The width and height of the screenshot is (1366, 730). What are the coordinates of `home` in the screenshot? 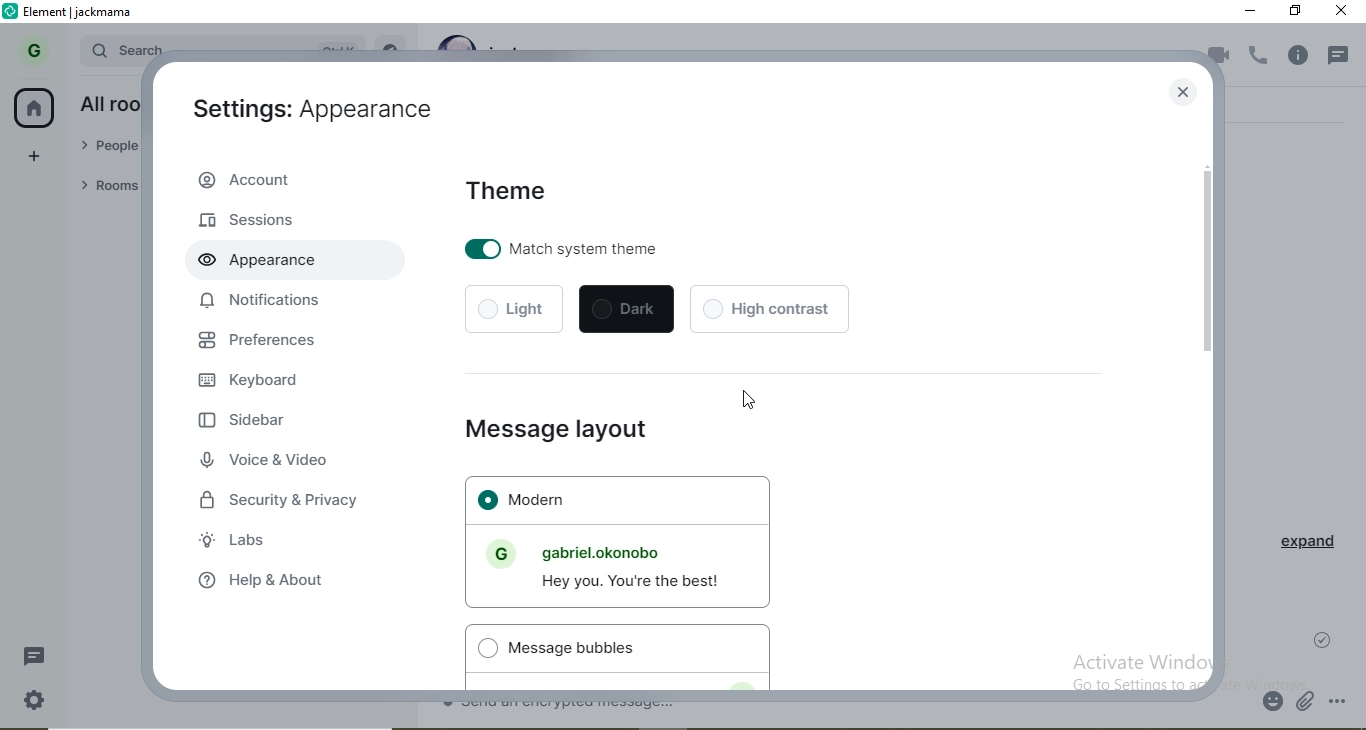 It's located at (36, 109).